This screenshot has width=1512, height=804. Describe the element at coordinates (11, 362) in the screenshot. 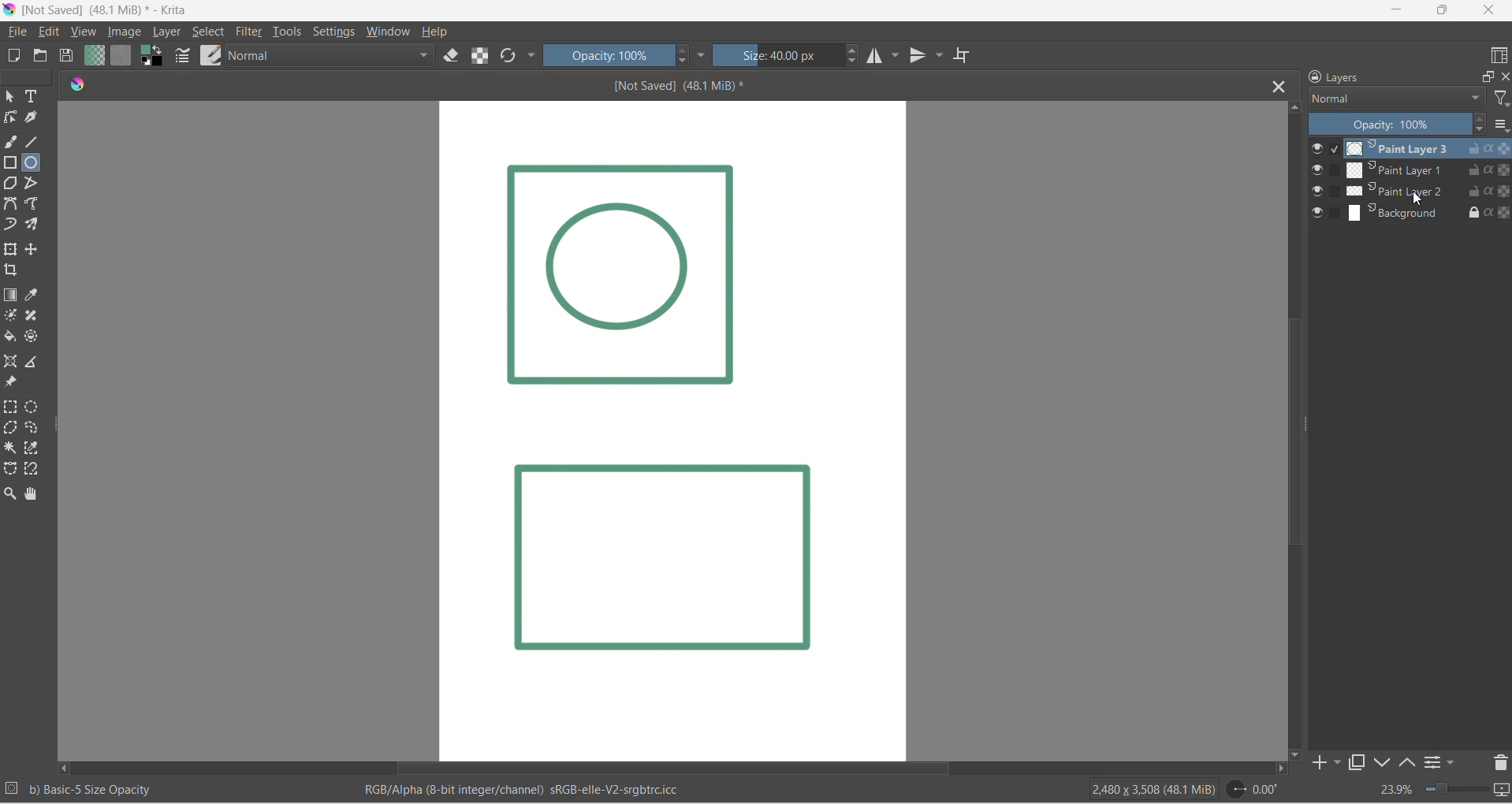

I see `assistant tool` at that location.